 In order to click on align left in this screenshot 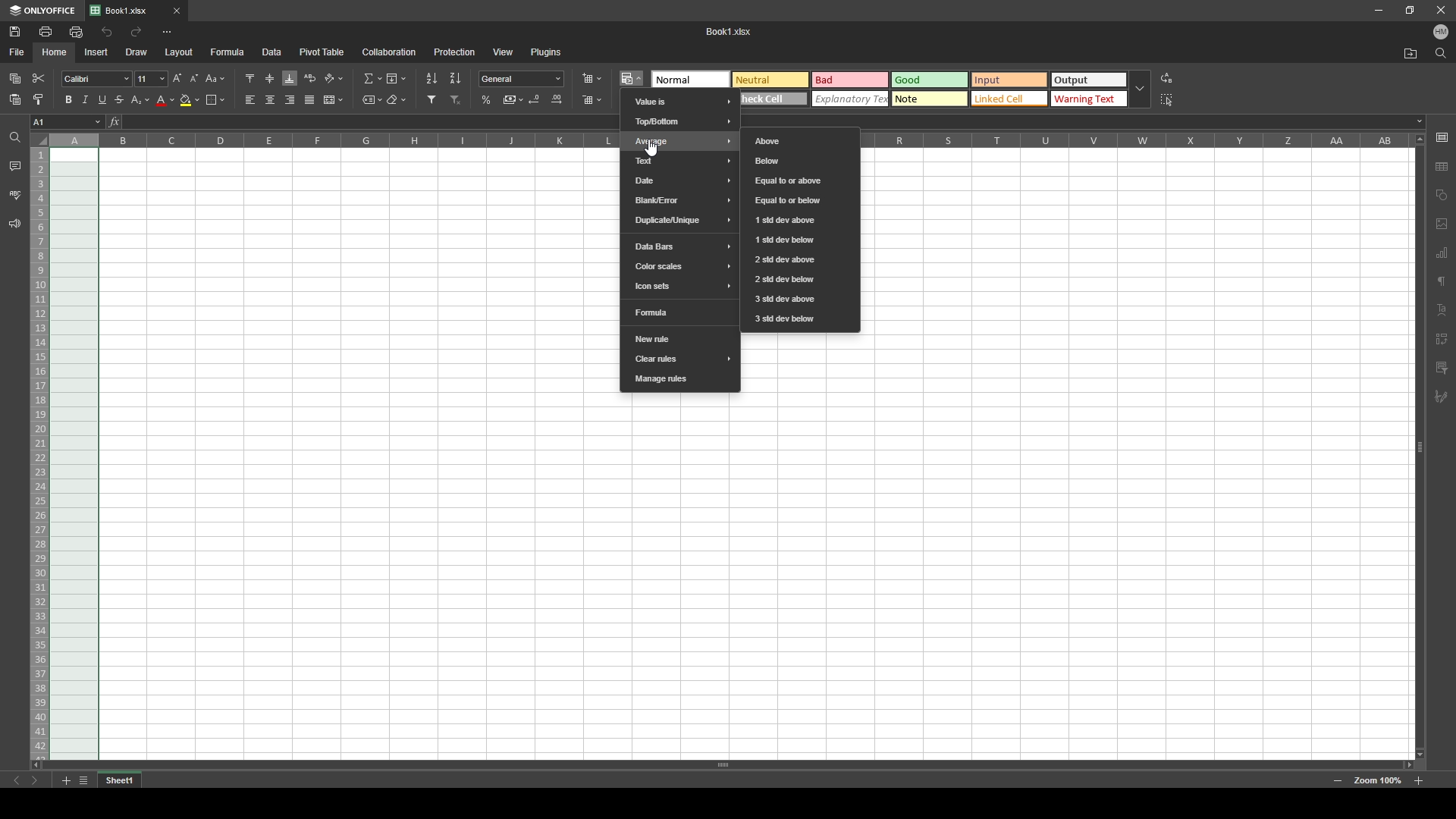, I will do `click(249, 100)`.